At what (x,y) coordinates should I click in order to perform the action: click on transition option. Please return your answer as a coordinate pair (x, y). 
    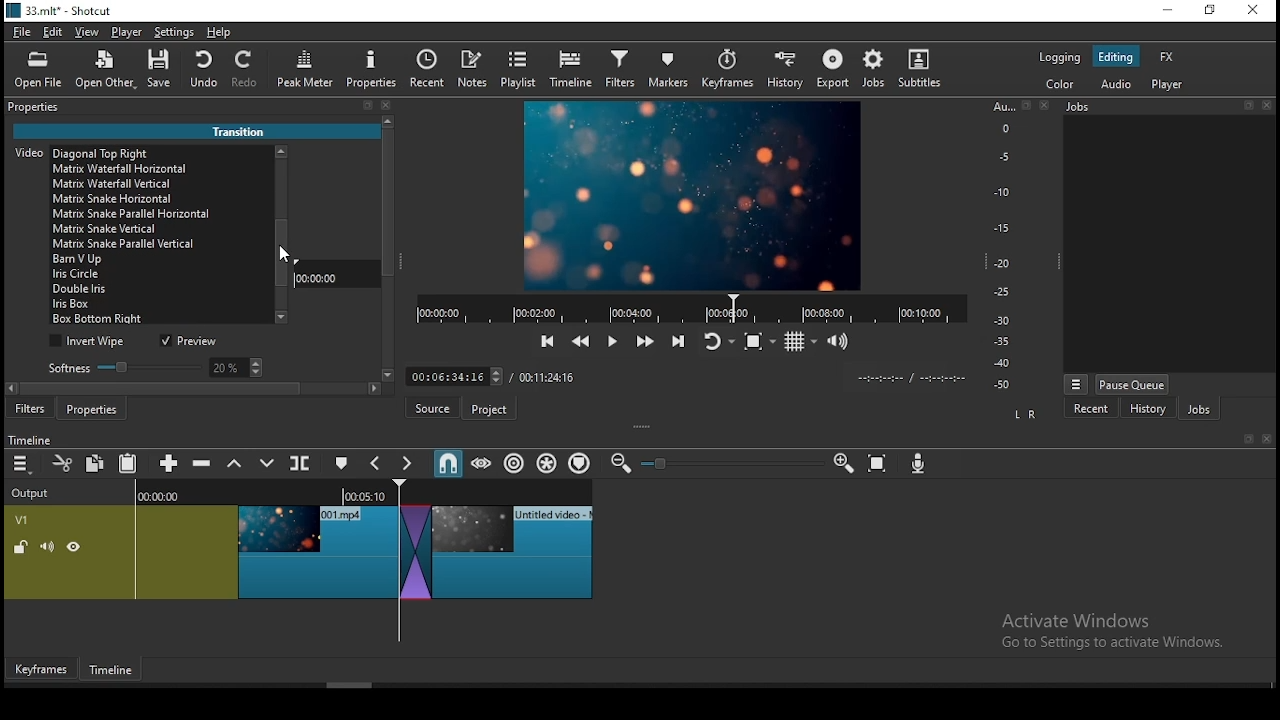
    Looking at the image, I should click on (159, 259).